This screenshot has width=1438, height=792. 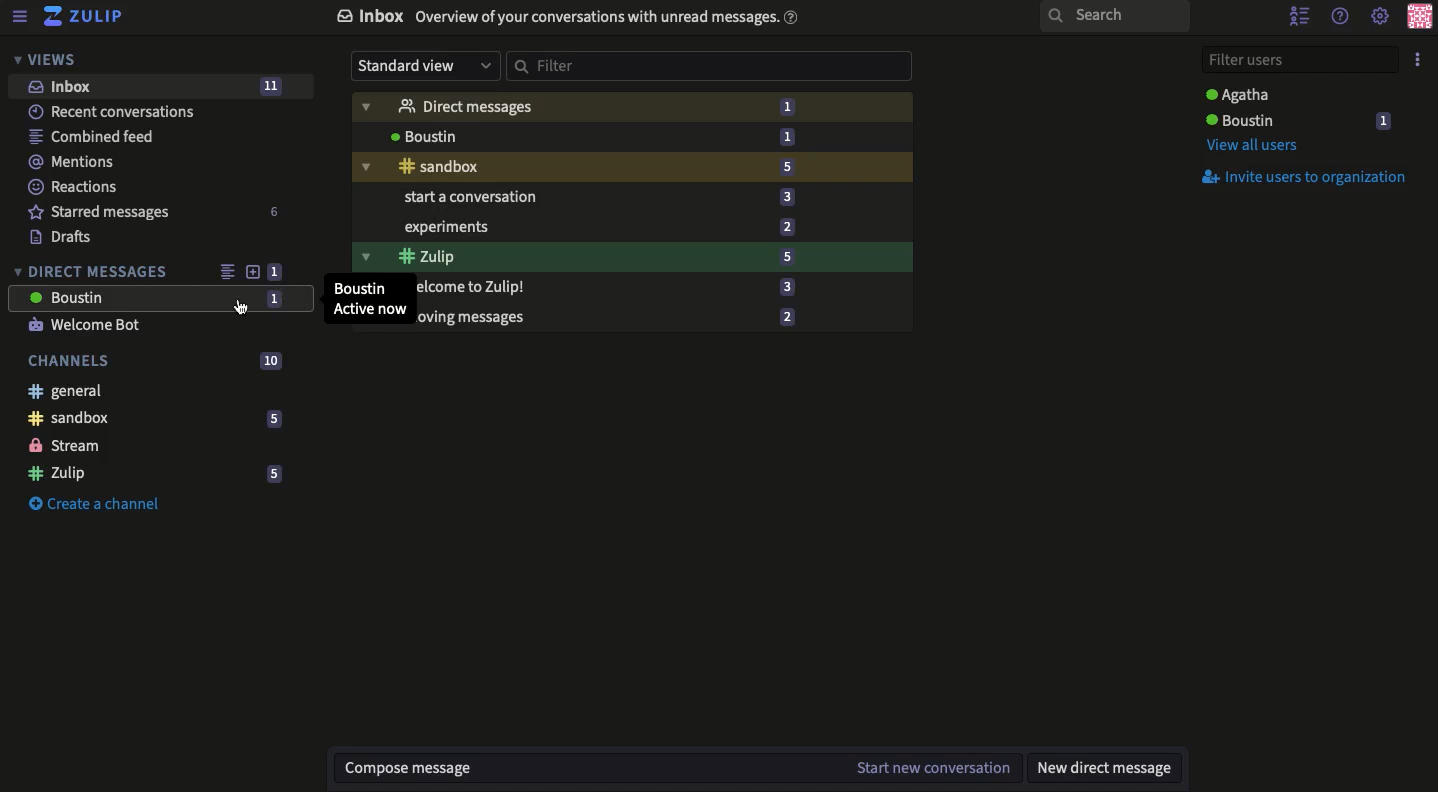 What do you see at coordinates (159, 360) in the screenshot?
I see `Channels` at bounding box center [159, 360].